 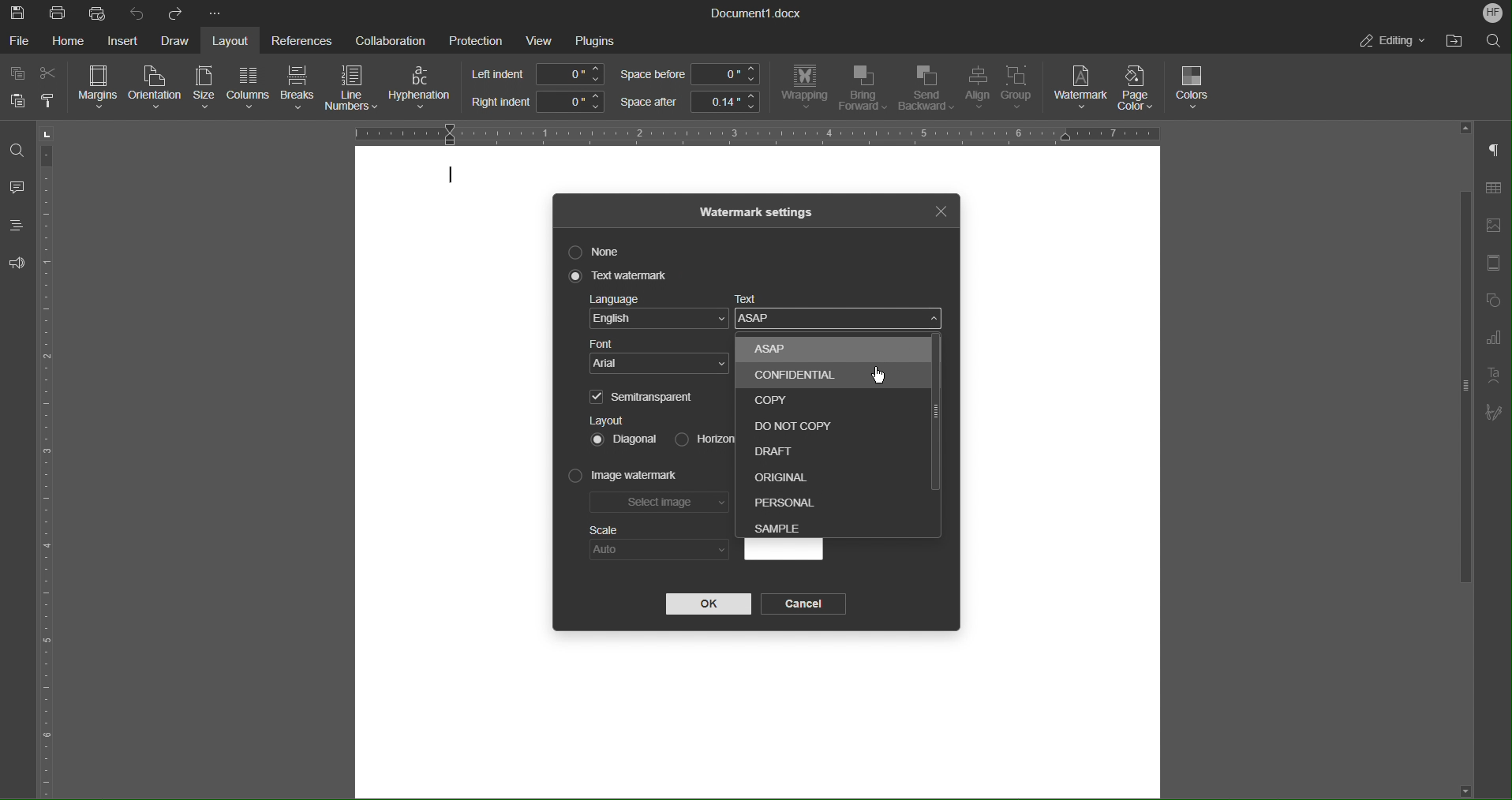 I want to click on References, so click(x=299, y=40).